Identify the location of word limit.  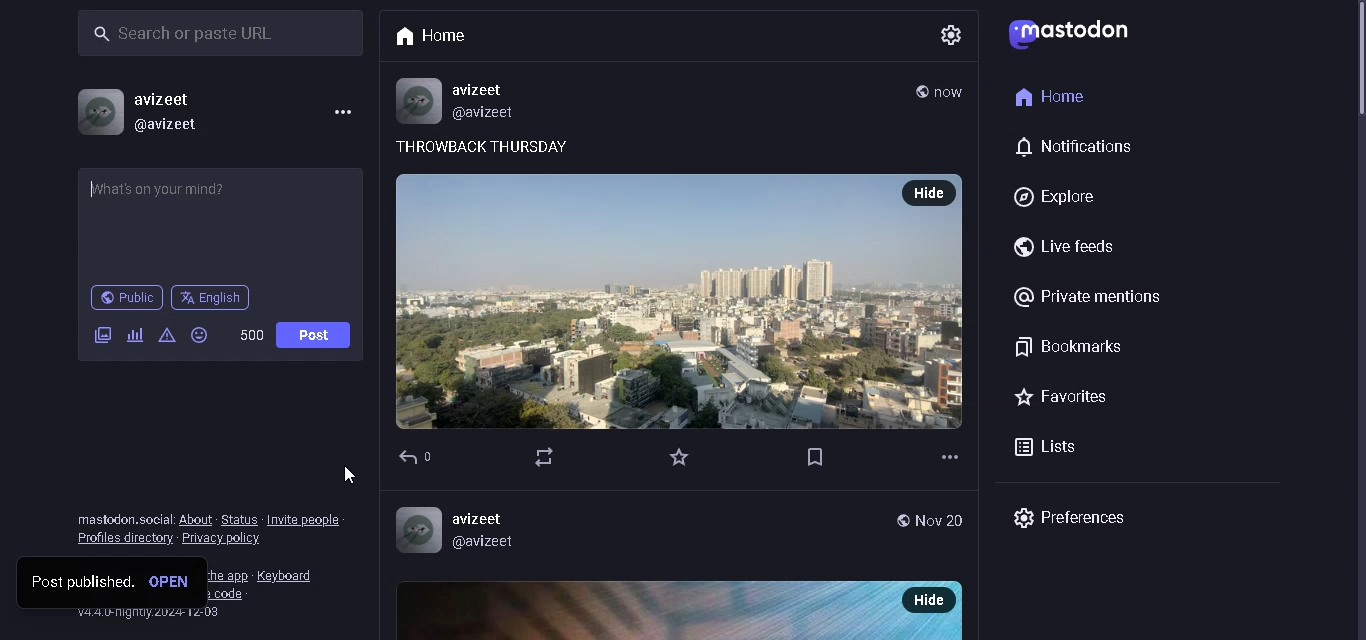
(250, 335).